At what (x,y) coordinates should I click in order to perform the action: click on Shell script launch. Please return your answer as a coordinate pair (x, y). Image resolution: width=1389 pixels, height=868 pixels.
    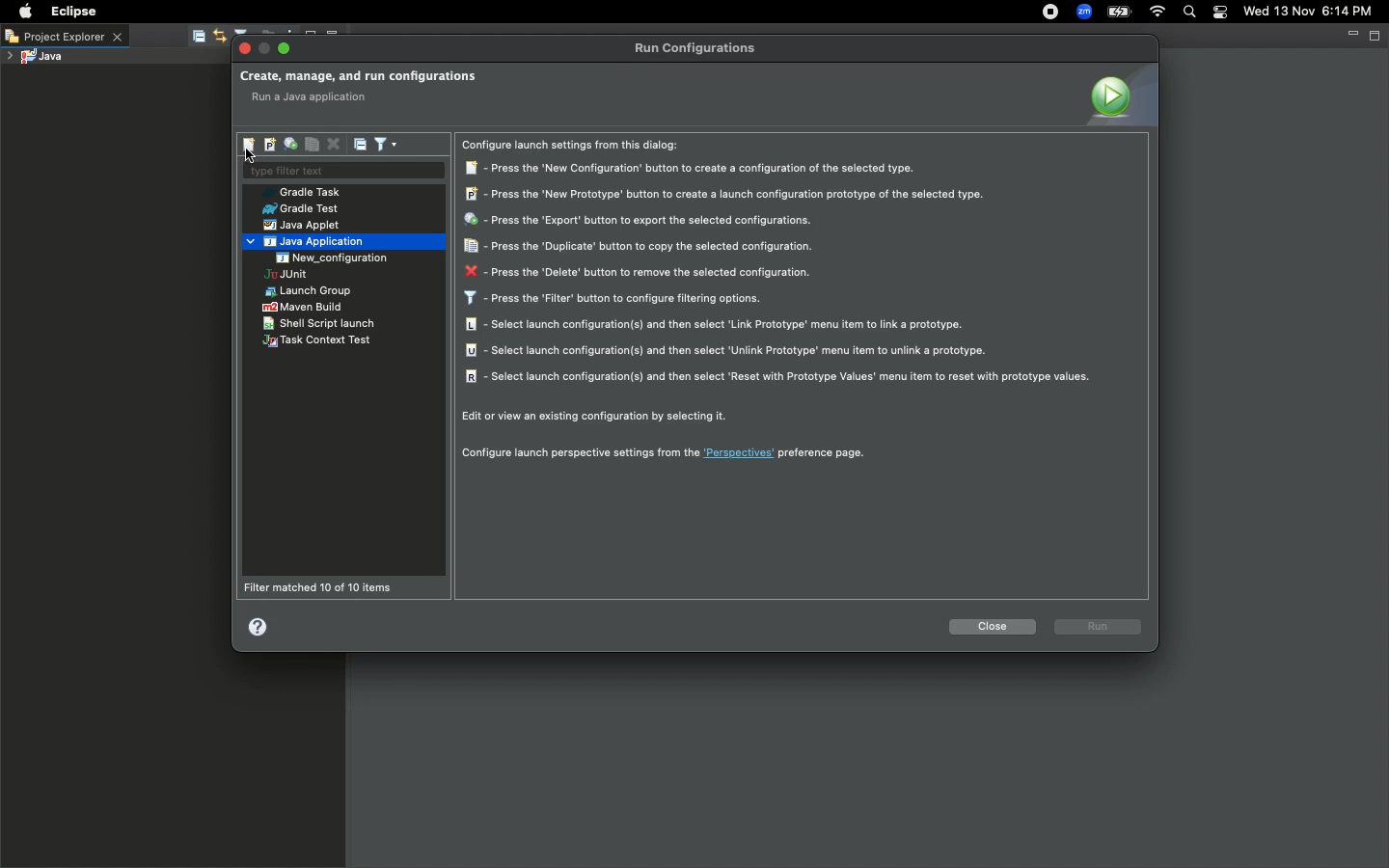
    Looking at the image, I should click on (320, 323).